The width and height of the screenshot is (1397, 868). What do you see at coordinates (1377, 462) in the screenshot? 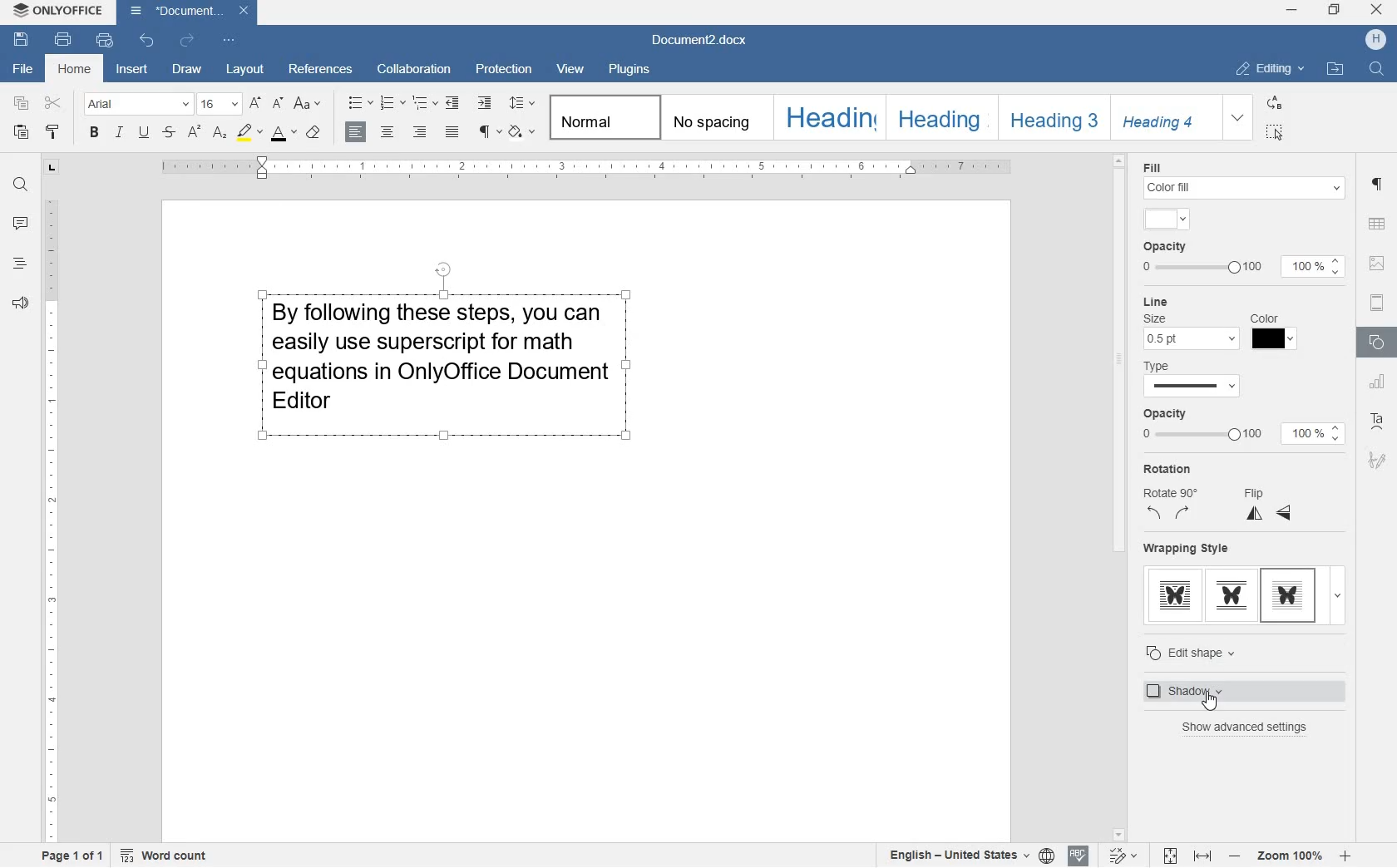
I see `signatur` at bounding box center [1377, 462].